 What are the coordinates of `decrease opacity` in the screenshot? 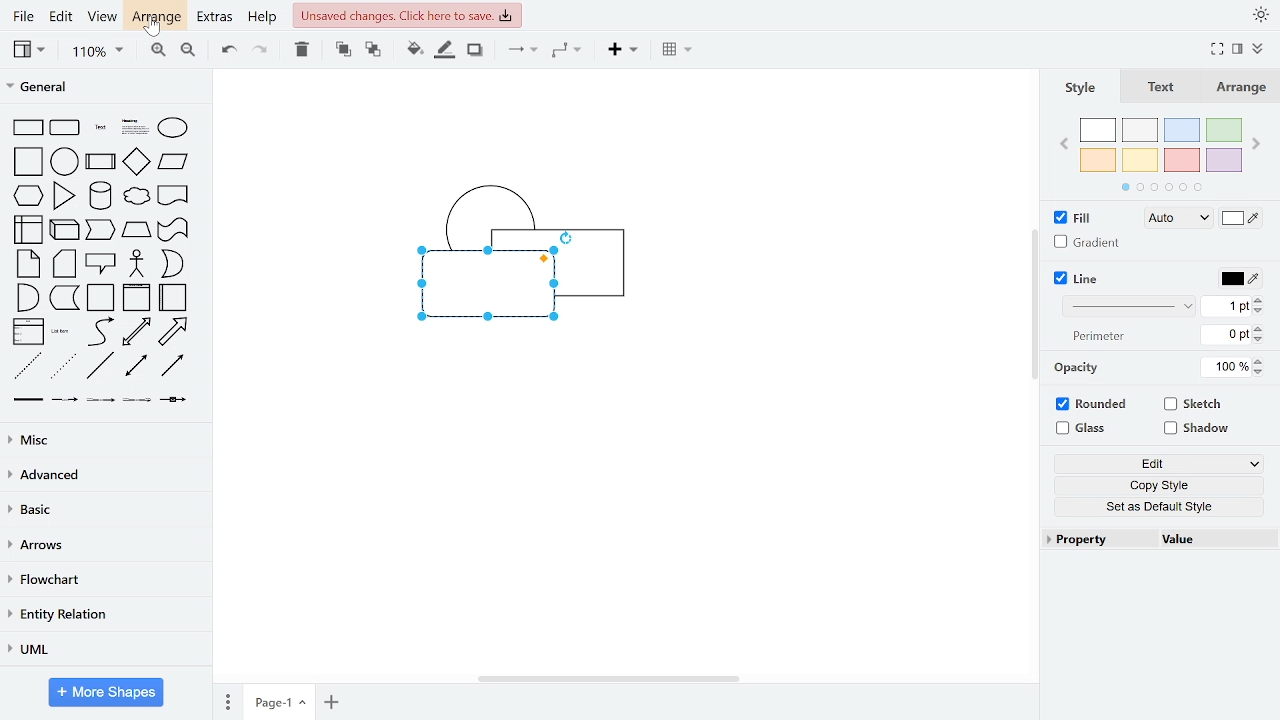 It's located at (1259, 372).